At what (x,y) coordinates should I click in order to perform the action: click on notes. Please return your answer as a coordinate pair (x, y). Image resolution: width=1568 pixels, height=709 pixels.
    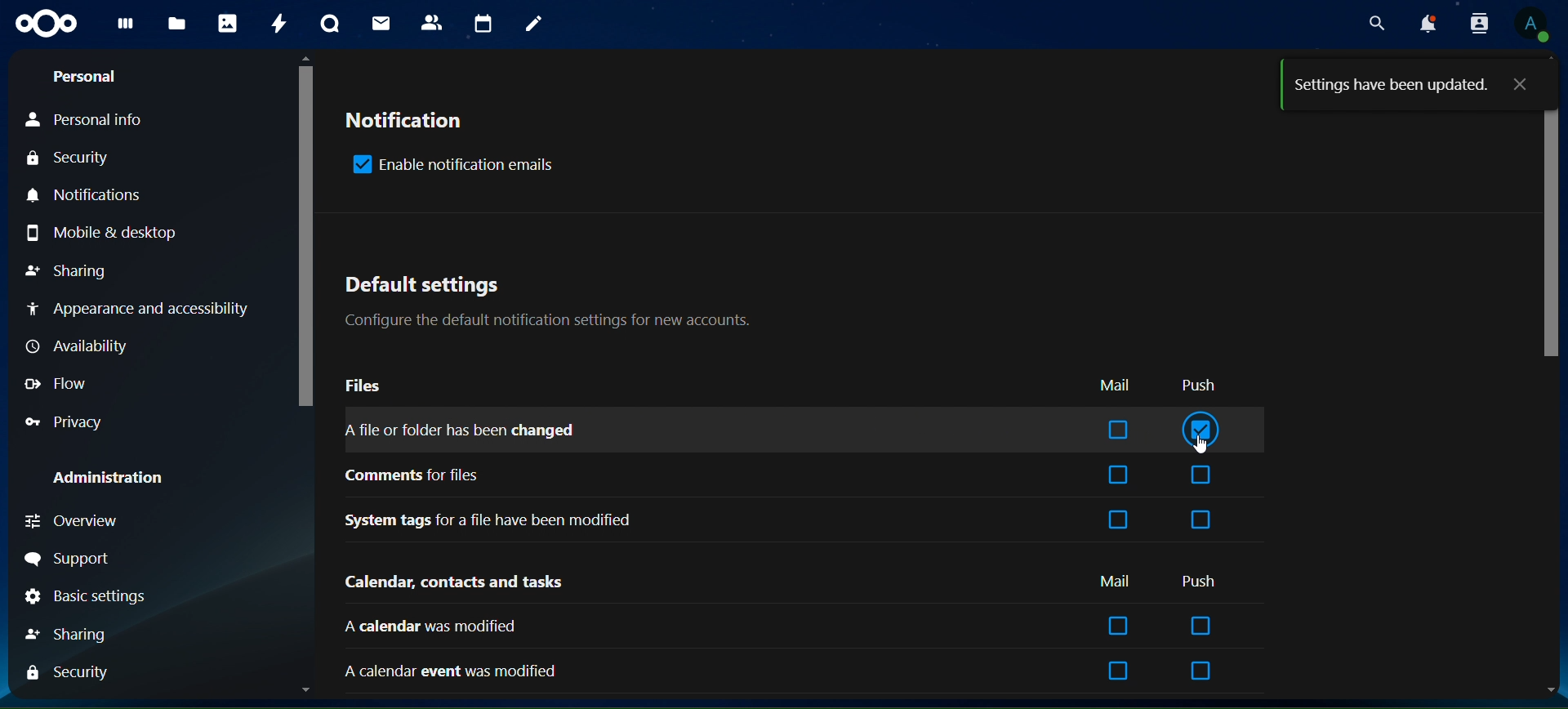
    Looking at the image, I should click on (535, 24).